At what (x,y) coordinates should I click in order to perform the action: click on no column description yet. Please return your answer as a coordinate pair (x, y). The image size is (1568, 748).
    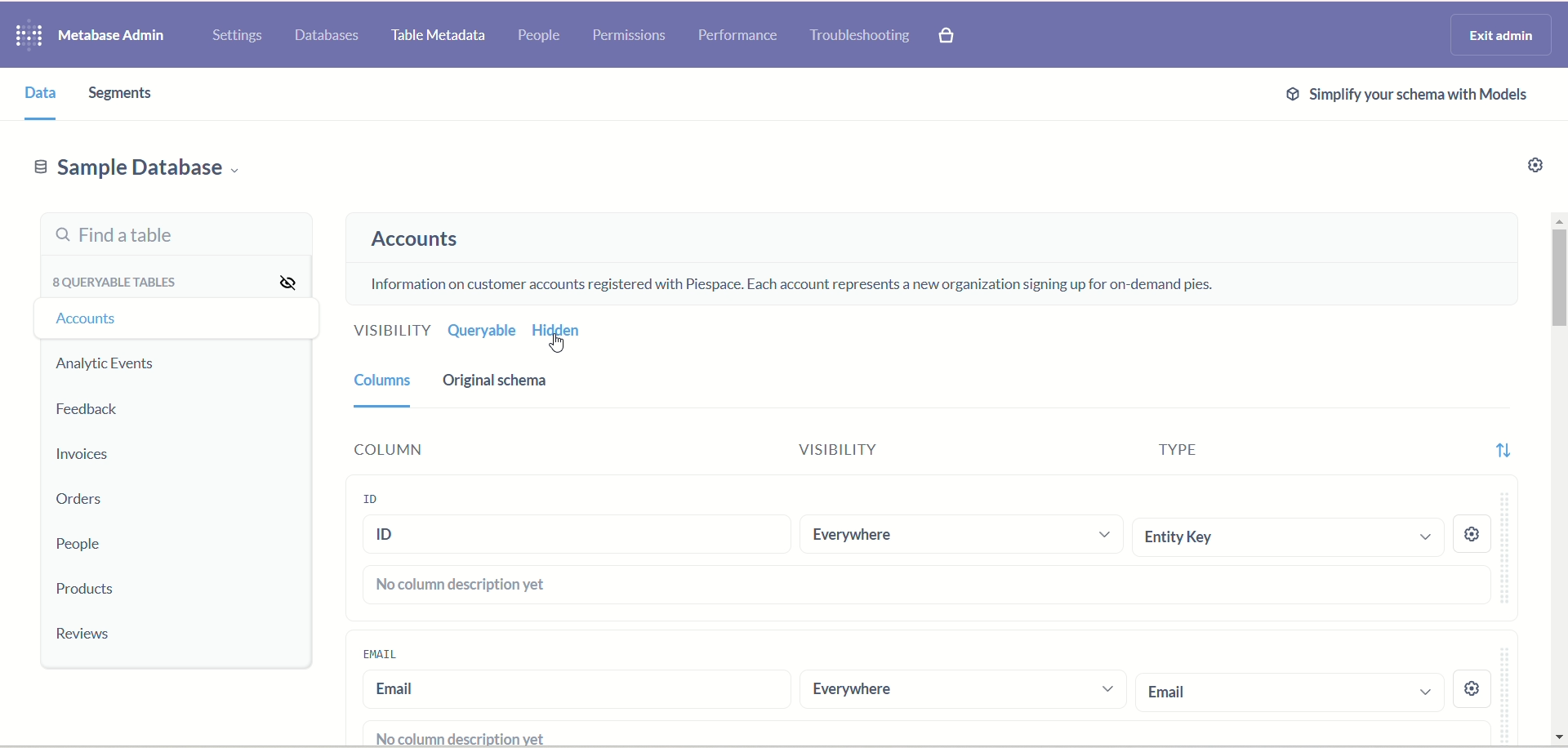
    Looking at the image, I should click on (448, 736).